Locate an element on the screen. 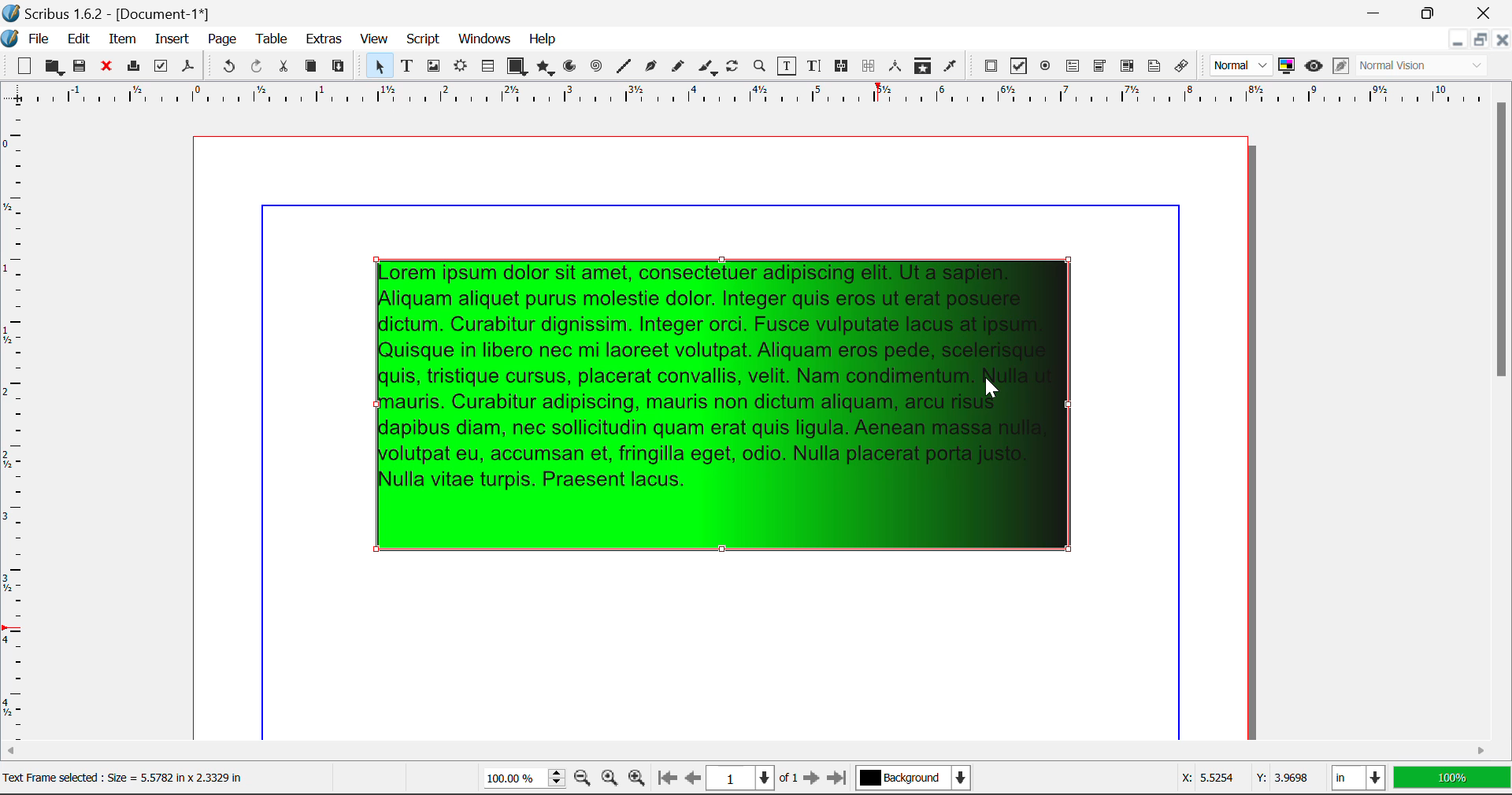 The width and height of the screenshot is (1512, 795). Next Page is located at coordinates (811, 779).